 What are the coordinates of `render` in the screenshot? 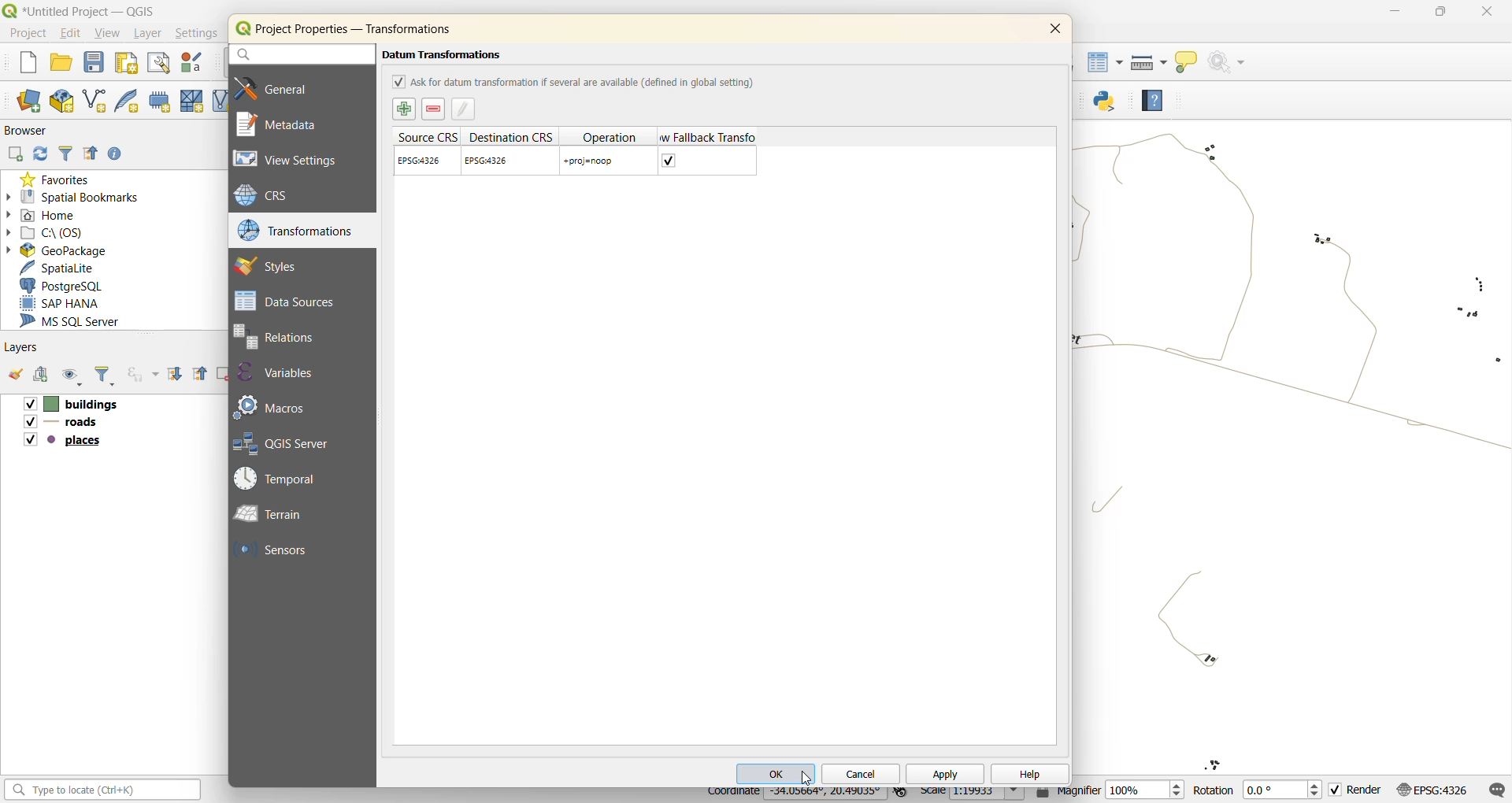 It's located at (1359, 790).